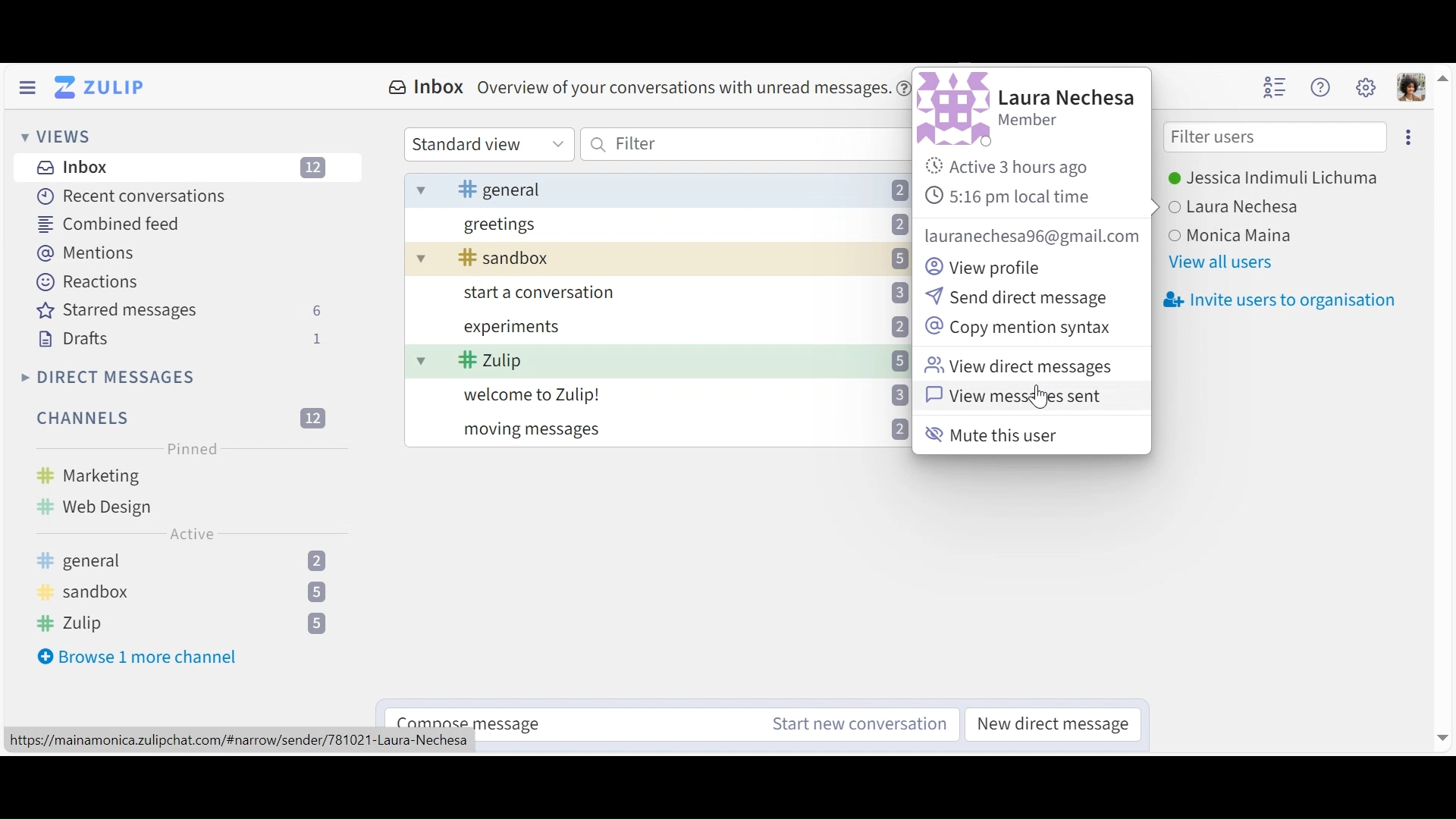 This screenshot has height=819, width=1456. What do you see at coordinates (58, 138) in the screenshot?
I see `Views` at bounding box center [58, 138].